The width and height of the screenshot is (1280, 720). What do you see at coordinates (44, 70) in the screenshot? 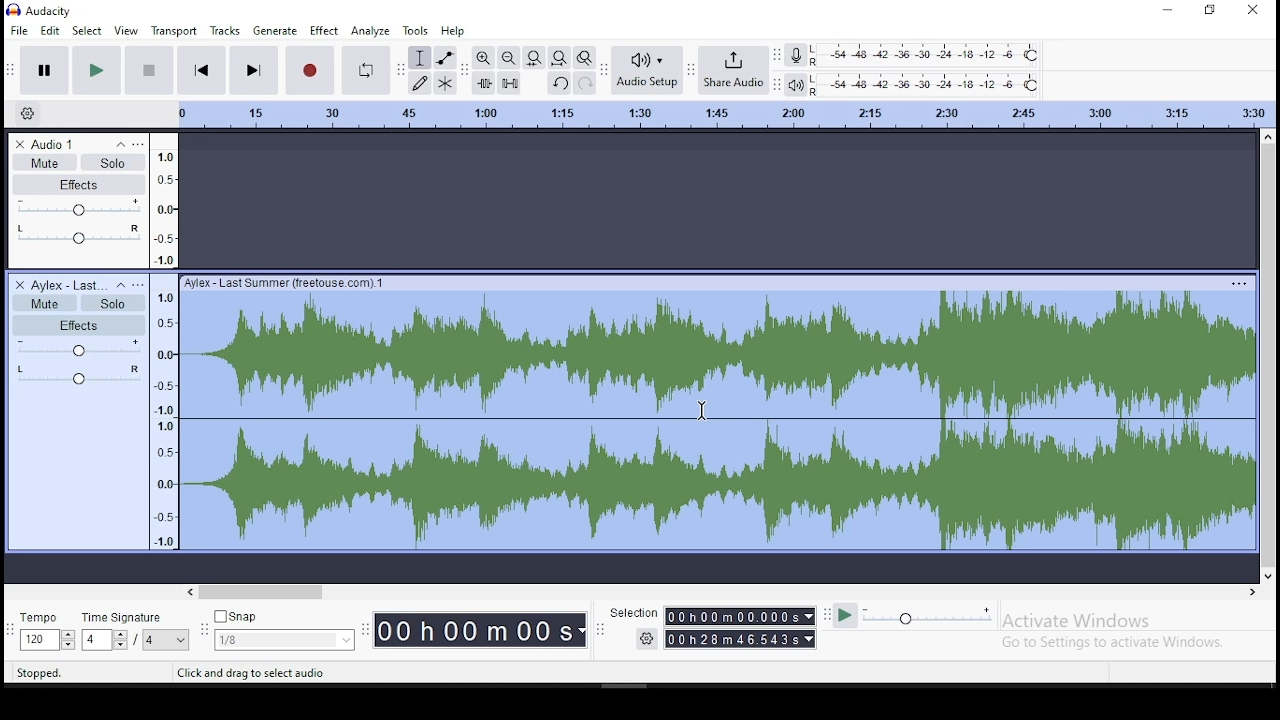
I see `pause` at bounding box center [44, 70].